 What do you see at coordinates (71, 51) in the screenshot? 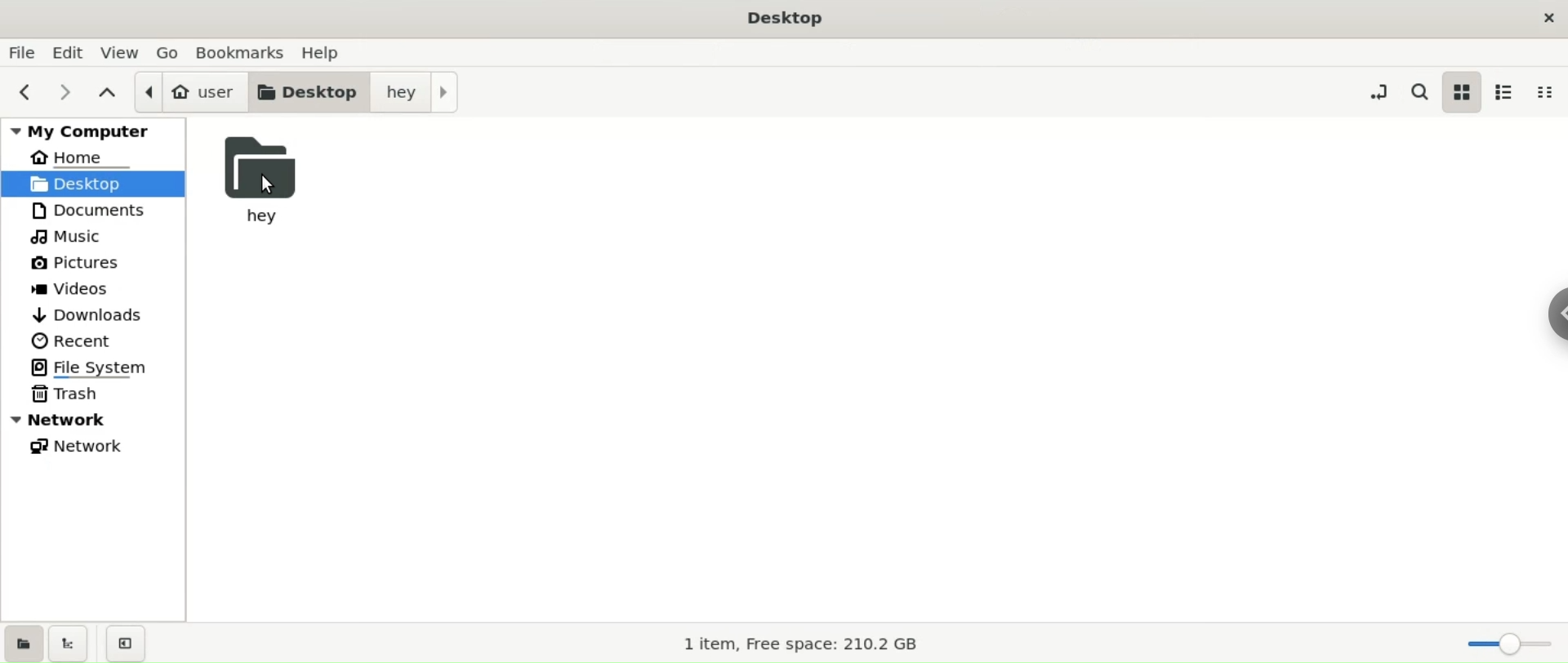
I see `edit` at bounding box center [71, 51].